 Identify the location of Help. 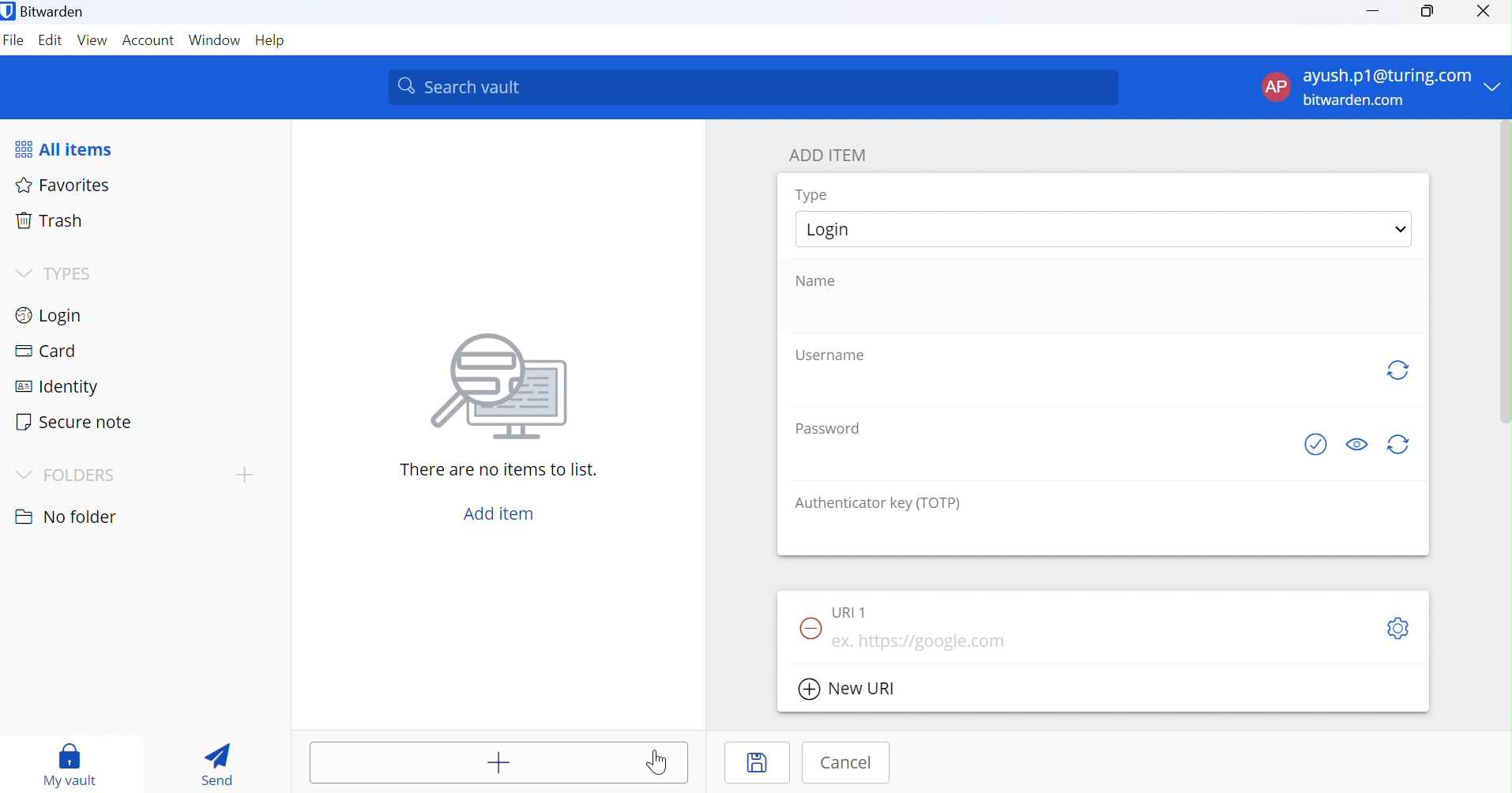
(273, 41).